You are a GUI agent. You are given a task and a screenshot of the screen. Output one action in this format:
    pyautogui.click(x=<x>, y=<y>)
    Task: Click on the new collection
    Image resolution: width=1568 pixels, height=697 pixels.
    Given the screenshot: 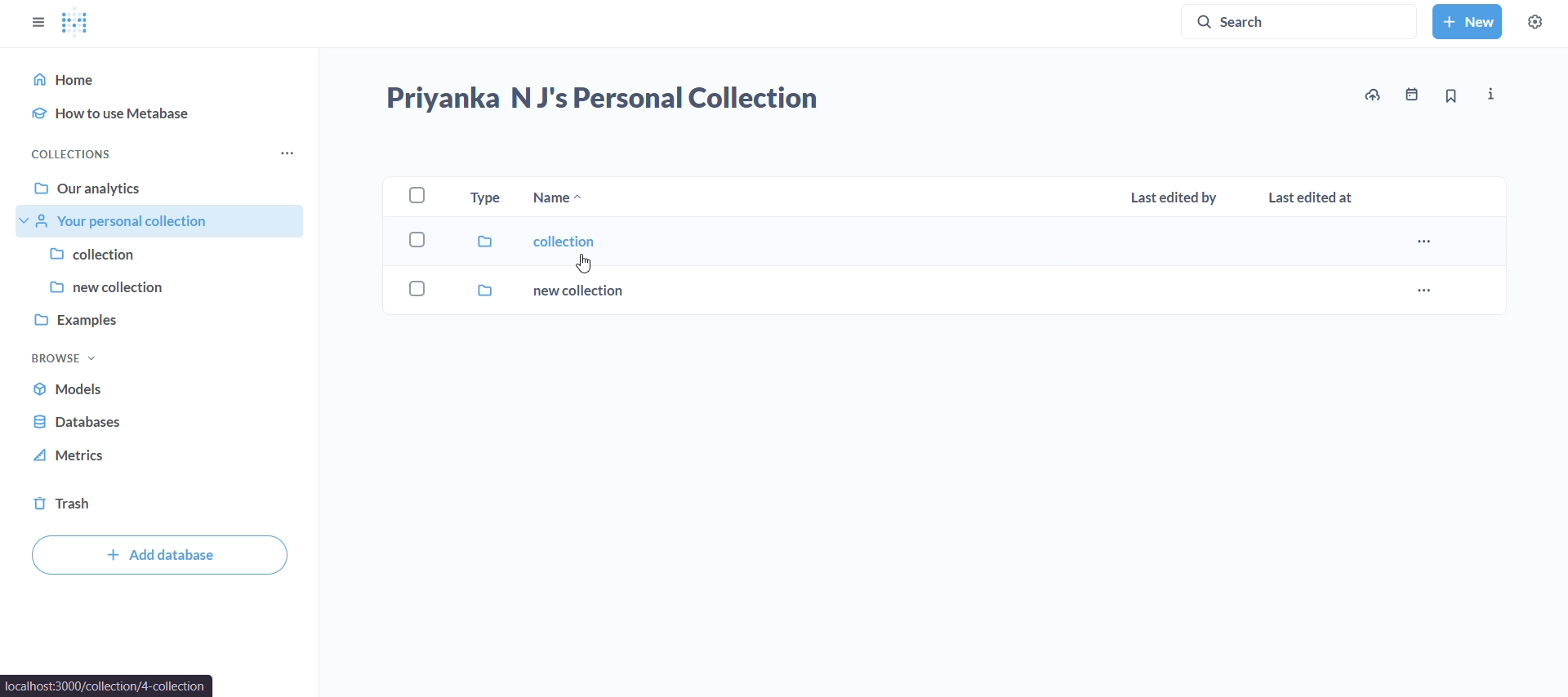 What is the action you would take?
    pyautogui.click(x=159, y=286)
    